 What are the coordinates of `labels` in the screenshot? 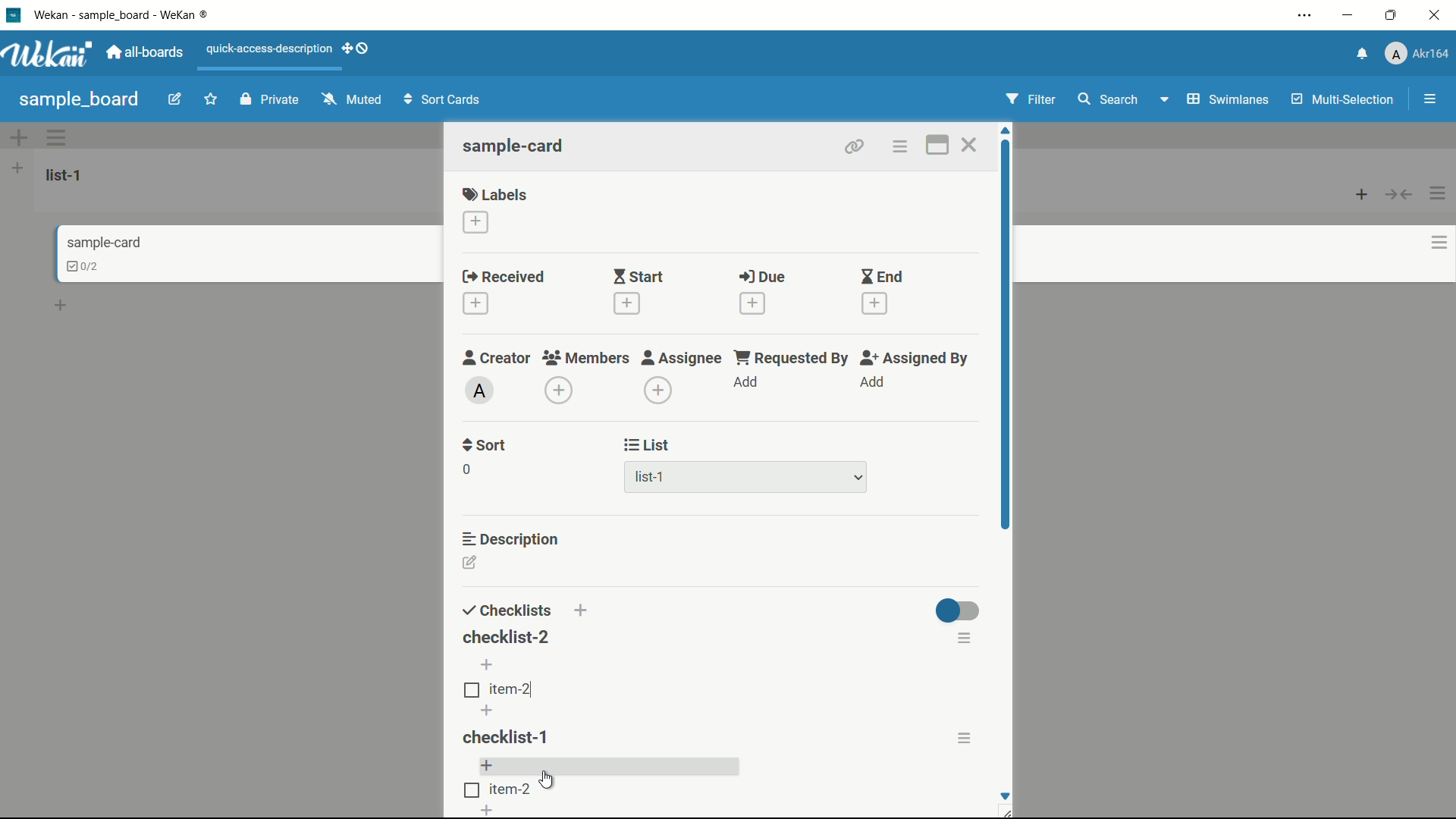 It's located at (495, 193).